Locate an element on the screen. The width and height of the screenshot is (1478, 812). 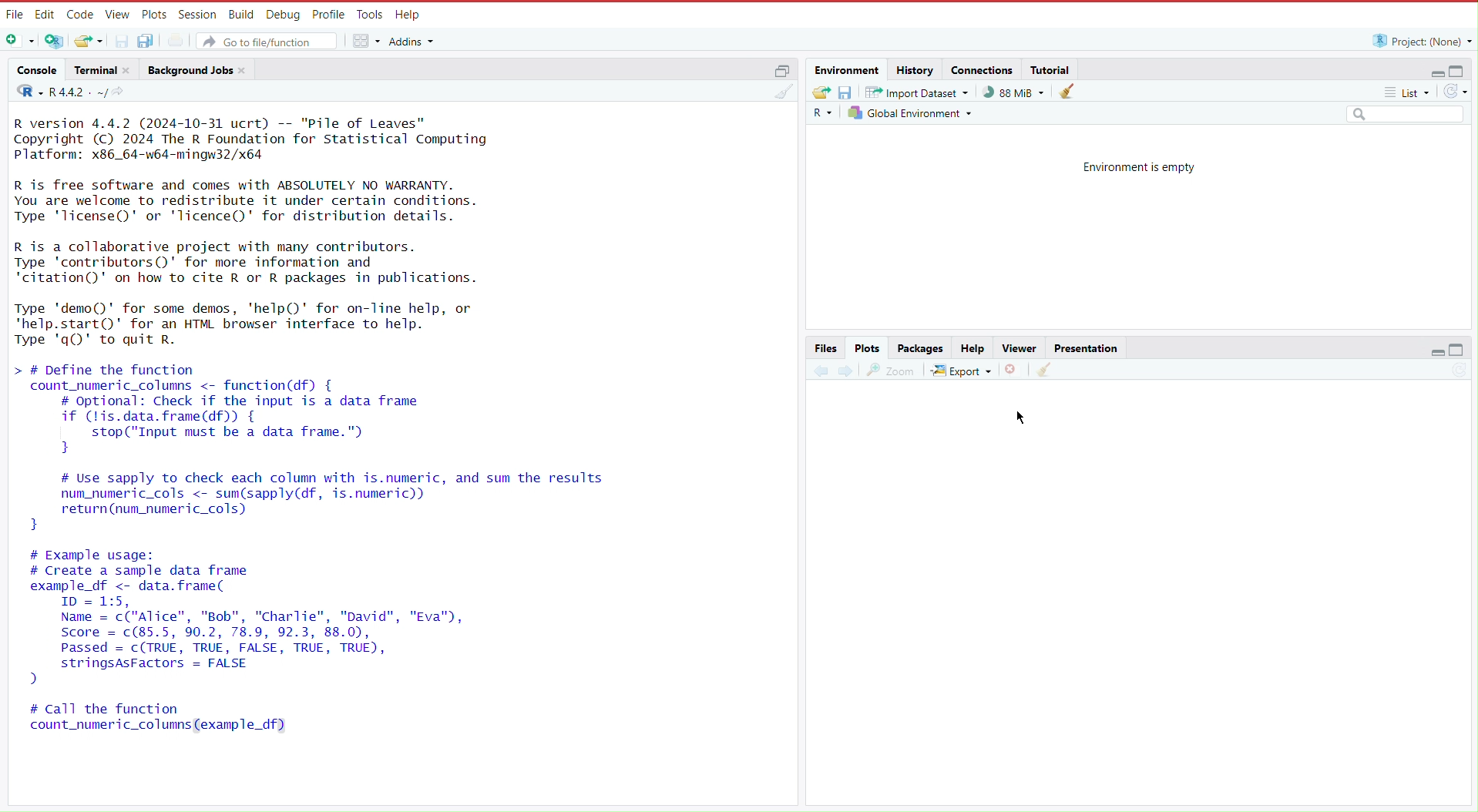
Maximize is located at coordinates (781, 69).